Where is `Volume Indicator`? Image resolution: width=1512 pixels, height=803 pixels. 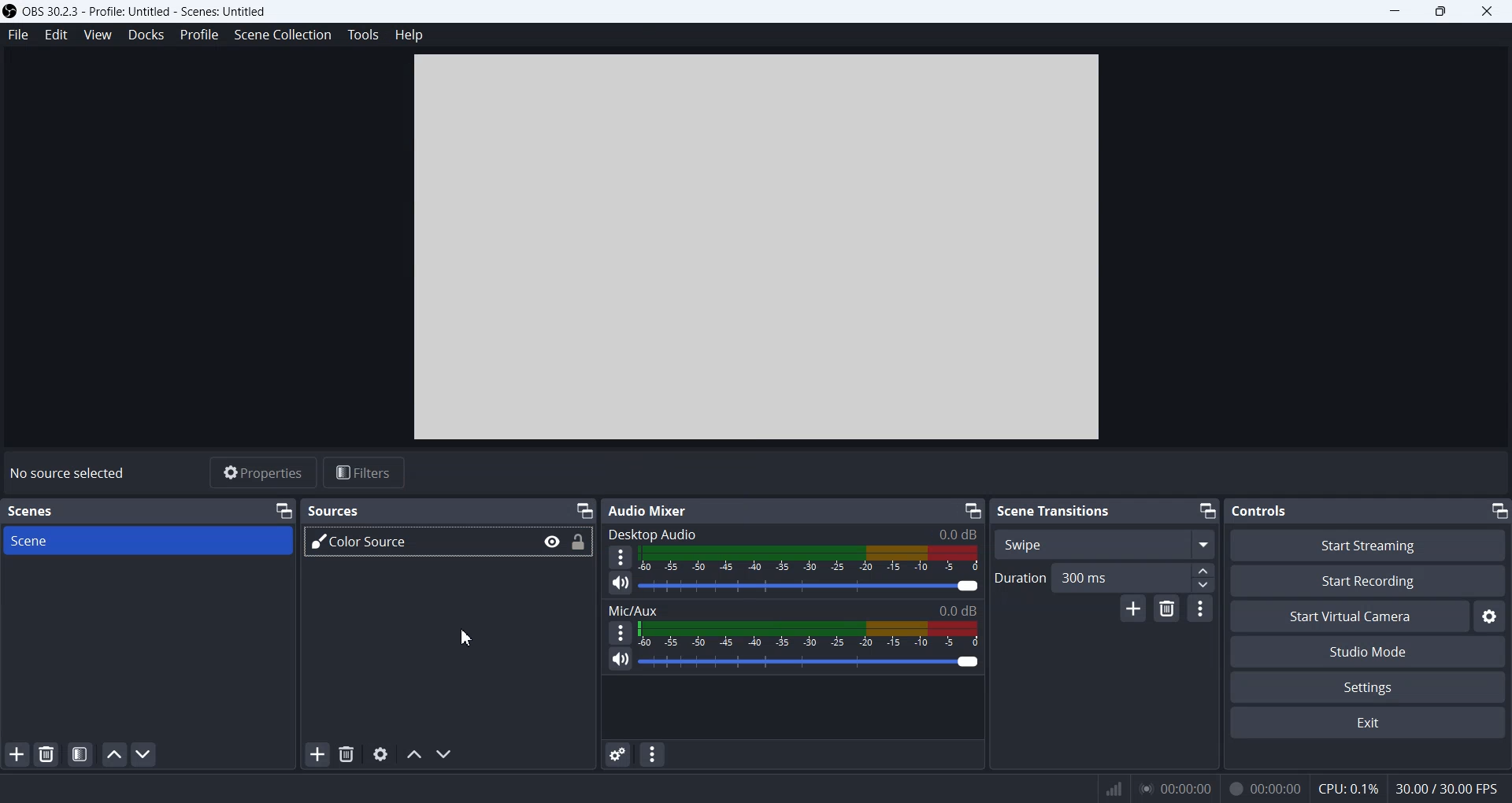 Volume Indicator is located at coordinates (810, 634).